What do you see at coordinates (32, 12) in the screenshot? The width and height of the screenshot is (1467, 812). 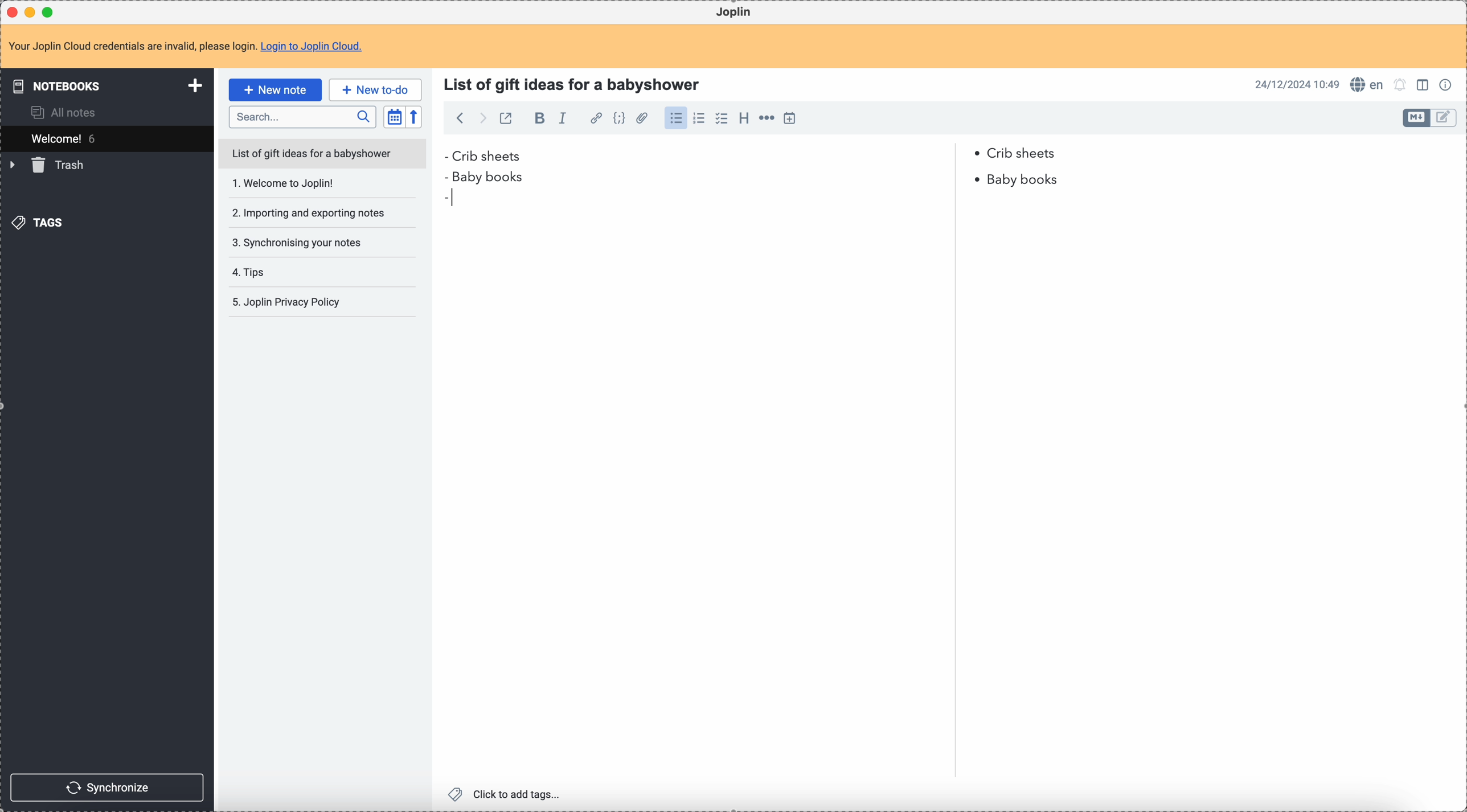 I see `minimize Joplin` at bounding box center [32, 12].